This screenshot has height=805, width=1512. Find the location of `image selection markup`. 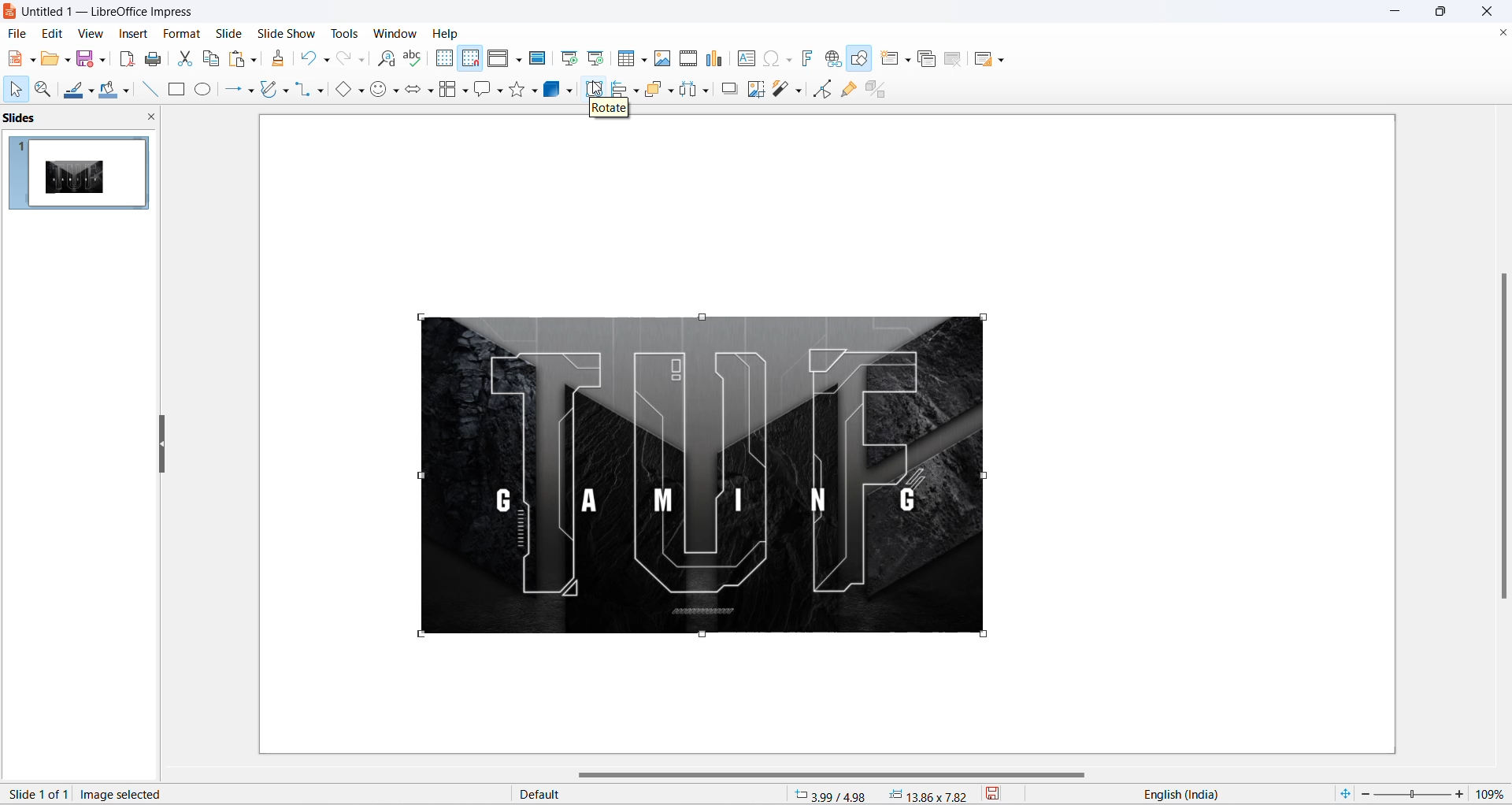

image selection markup is located at coordinates (706, 637).